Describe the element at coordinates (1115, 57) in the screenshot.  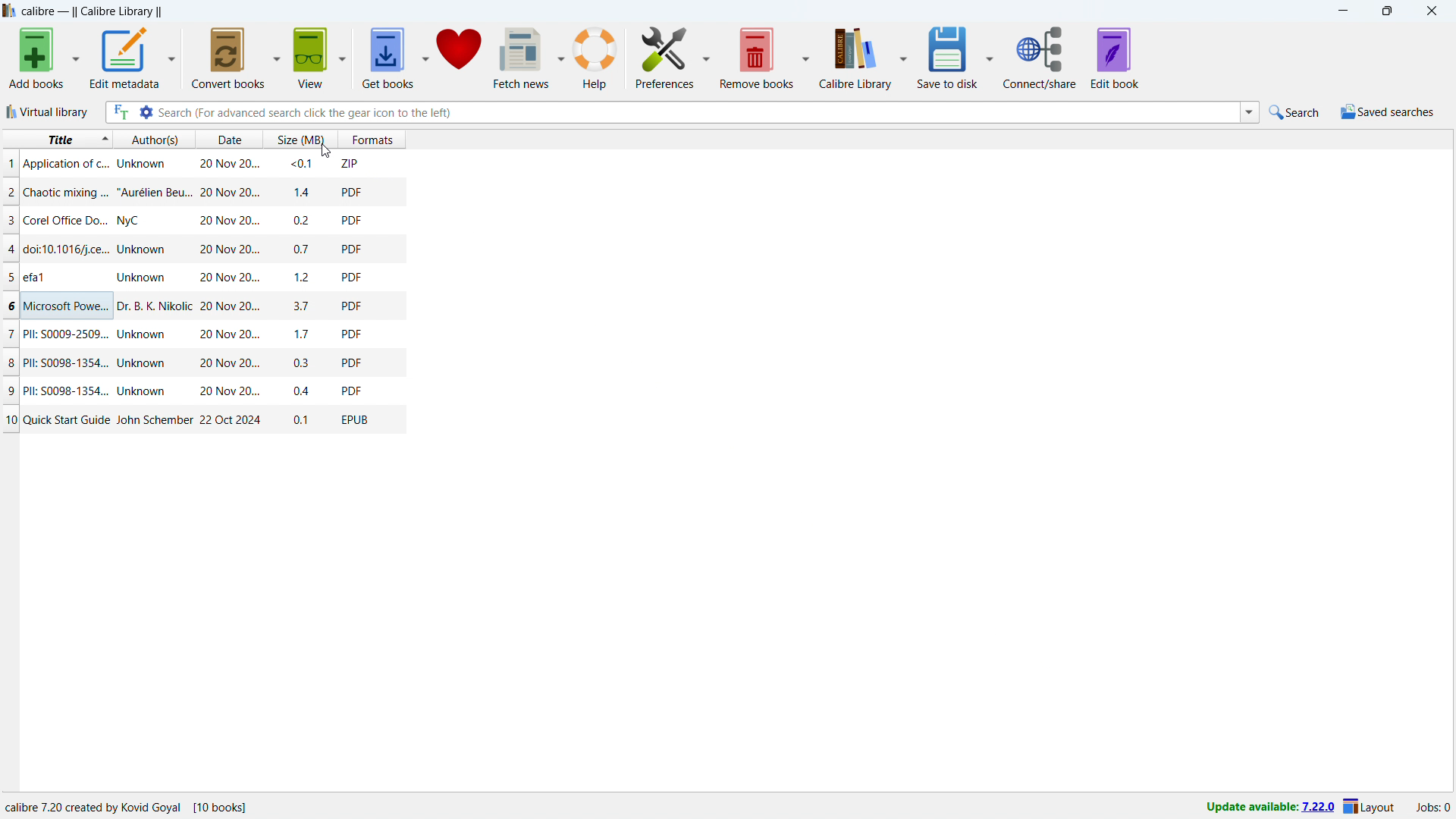
I see `edit book` at that location.